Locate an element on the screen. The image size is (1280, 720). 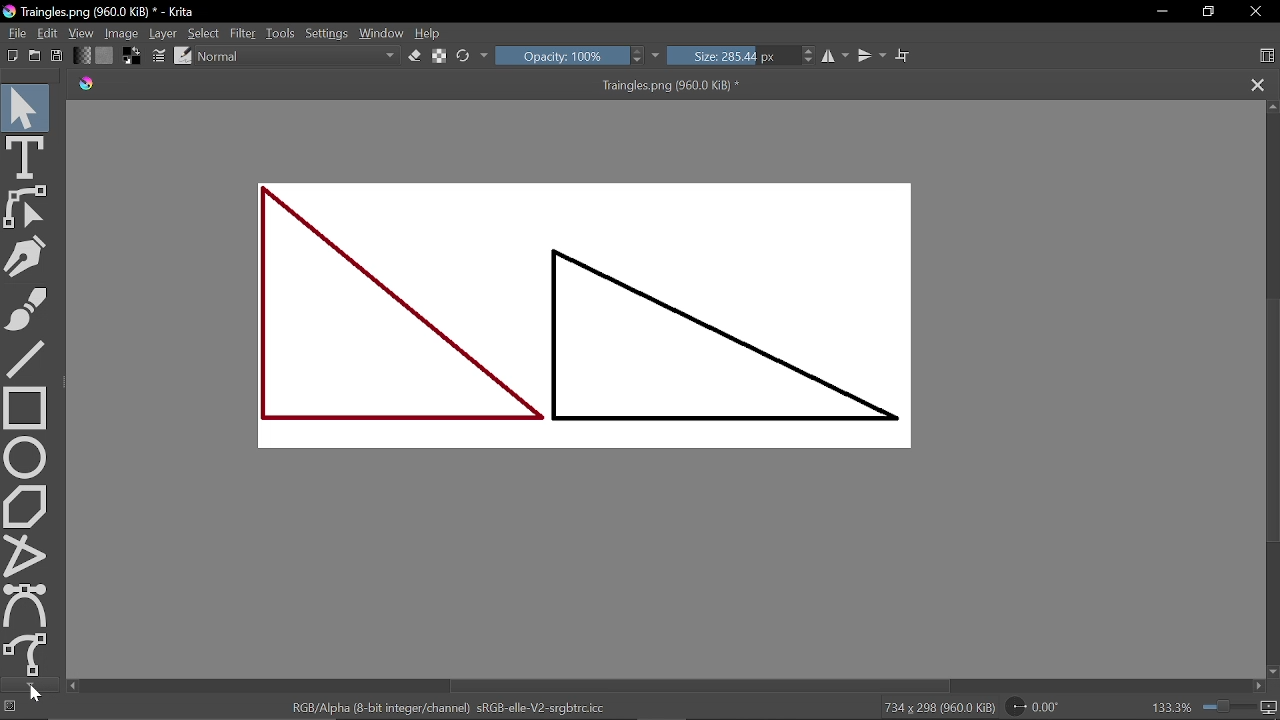
Fill gradient is located at coordinates (82, 55).